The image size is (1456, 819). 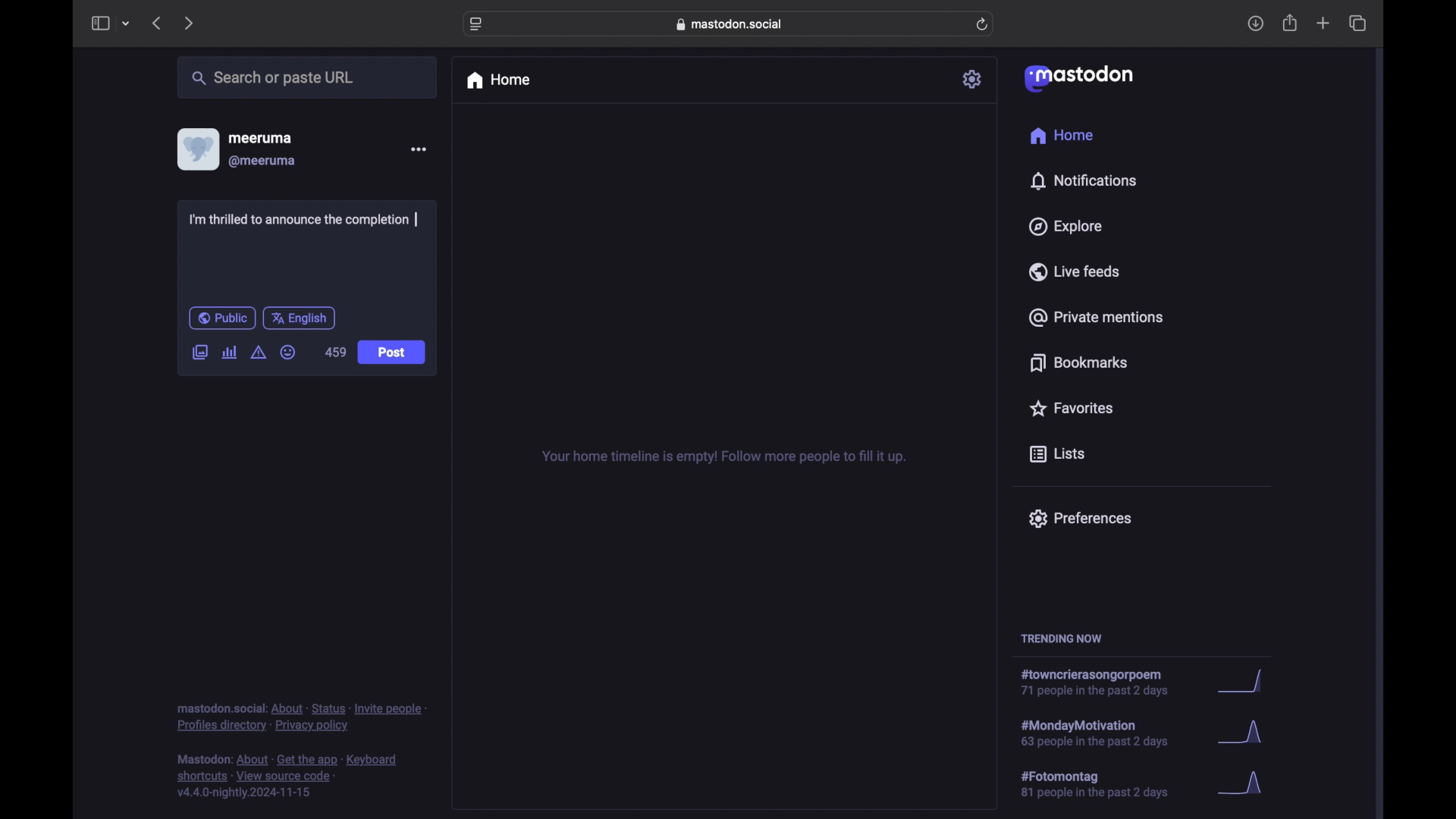 What do you see at coordinates (1066, 227) in the screenshot?
I see `explore` at bounding box center [1066, 227].